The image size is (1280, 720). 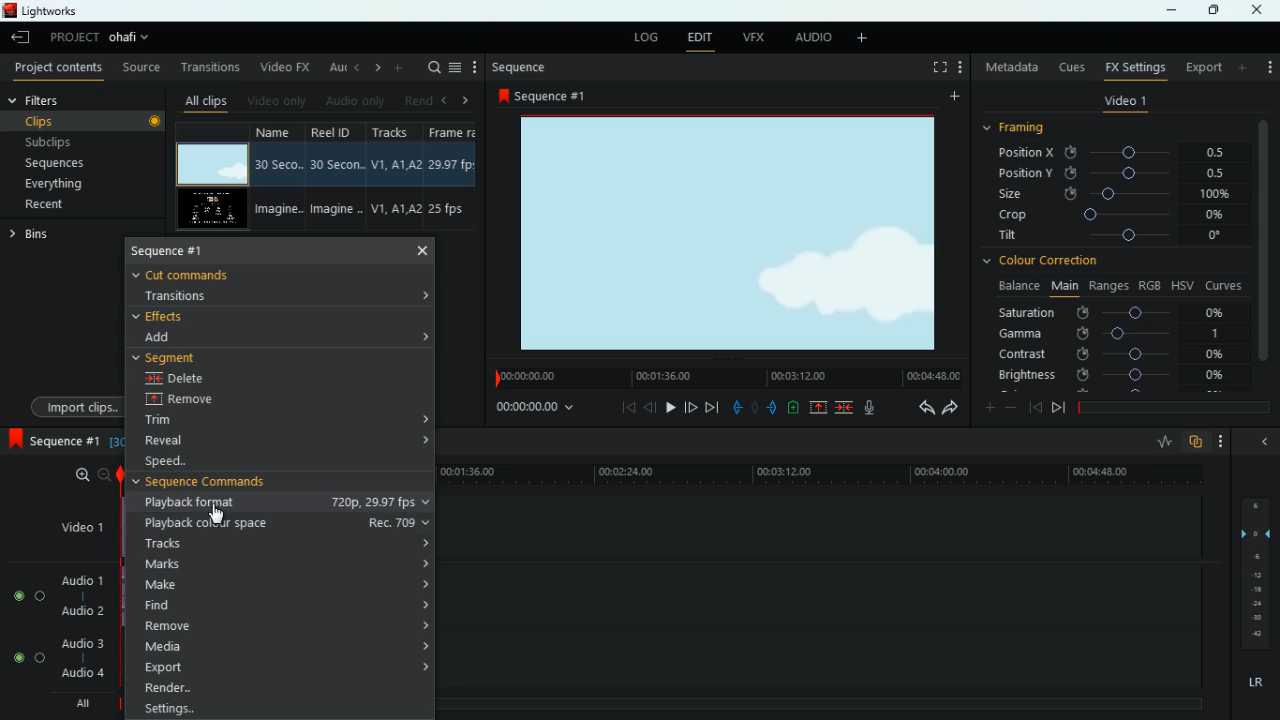 What do you see at coordinates (449, 178) in the screenshot?
I see `fps` at bounding box center [449, 178].